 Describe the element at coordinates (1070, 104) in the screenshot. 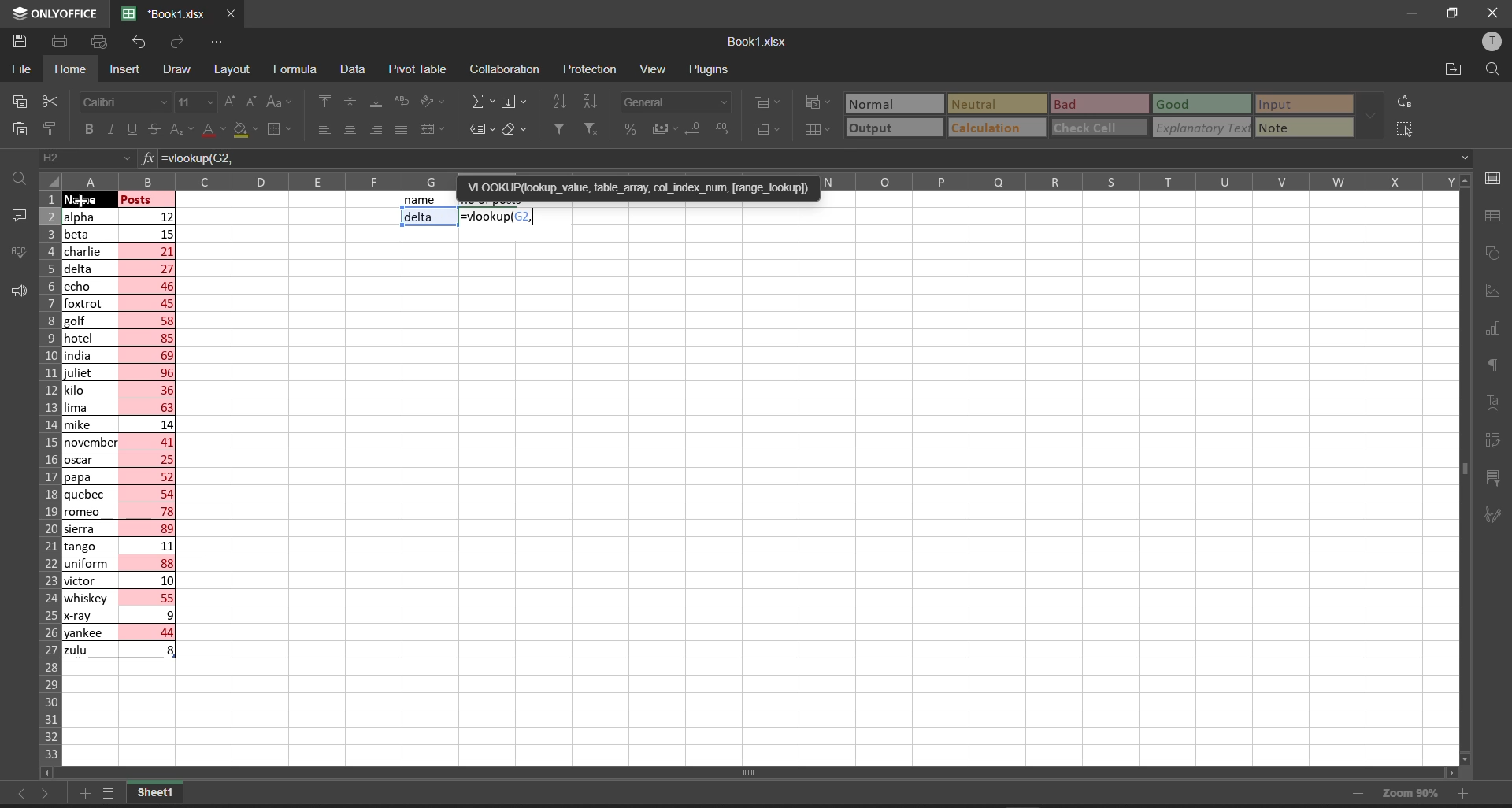

I see `Bad` at that location.